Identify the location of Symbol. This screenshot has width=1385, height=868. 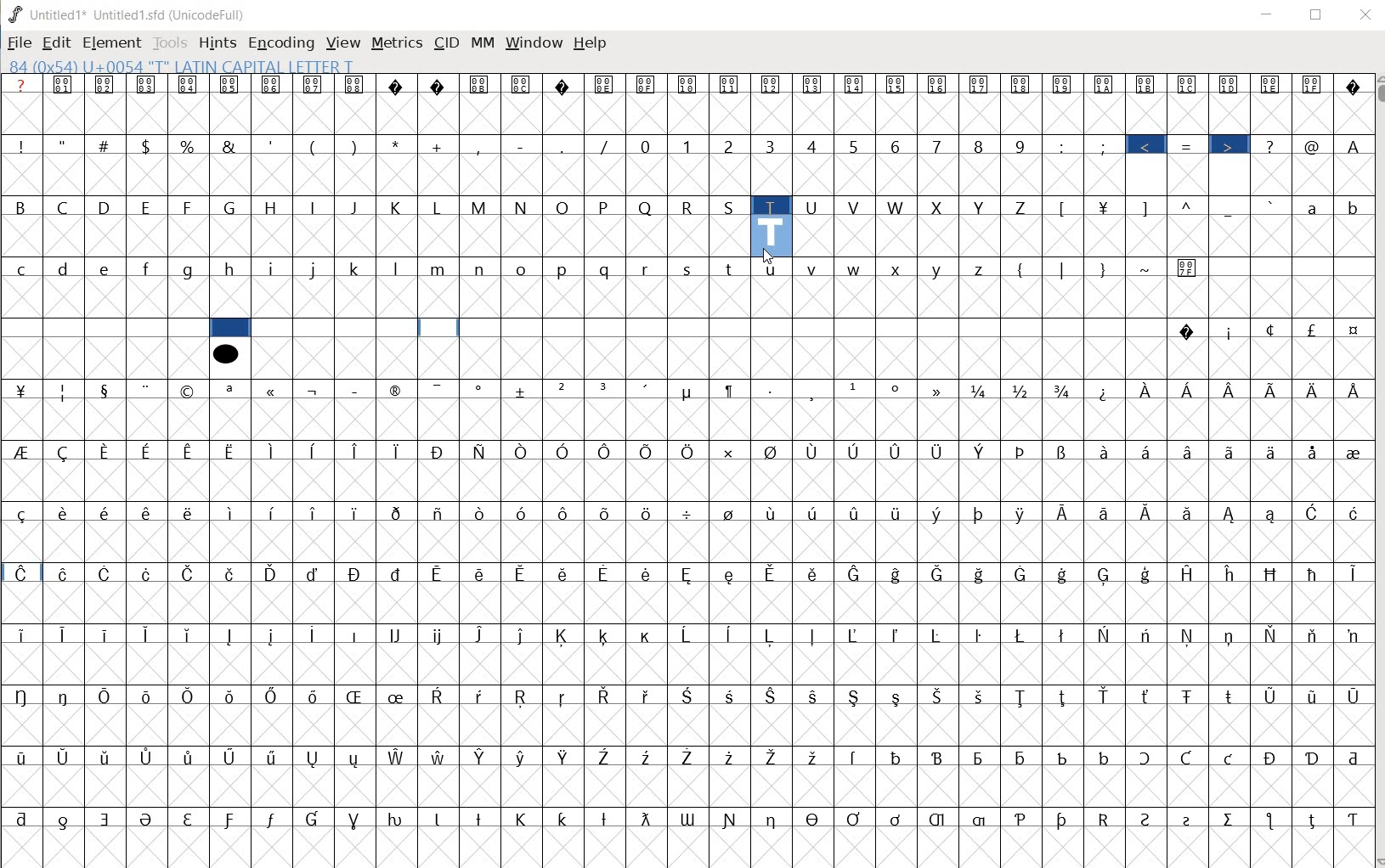
(855, 512).